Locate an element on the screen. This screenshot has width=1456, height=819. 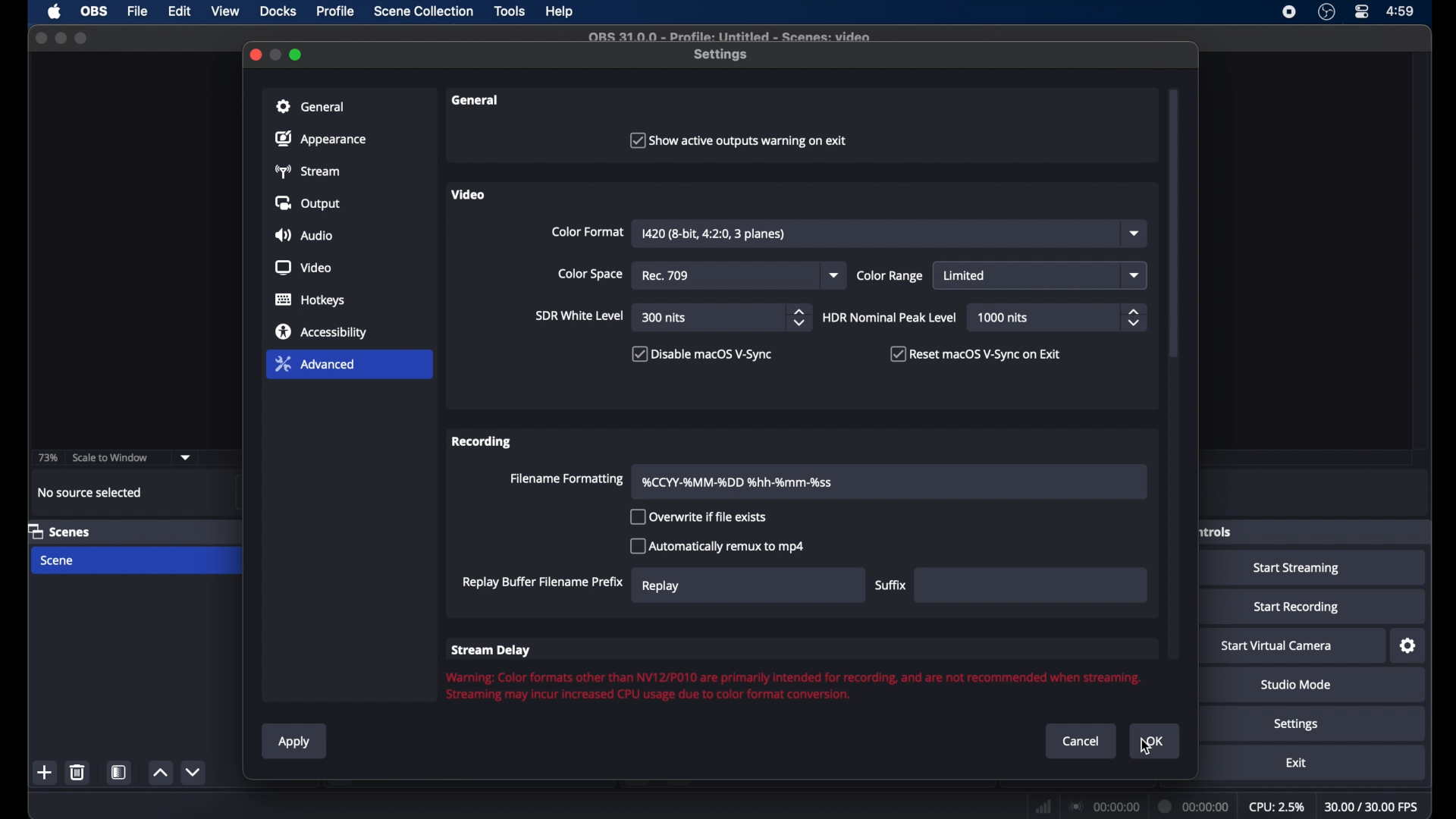
minimize is located at coordinates (61, 38).